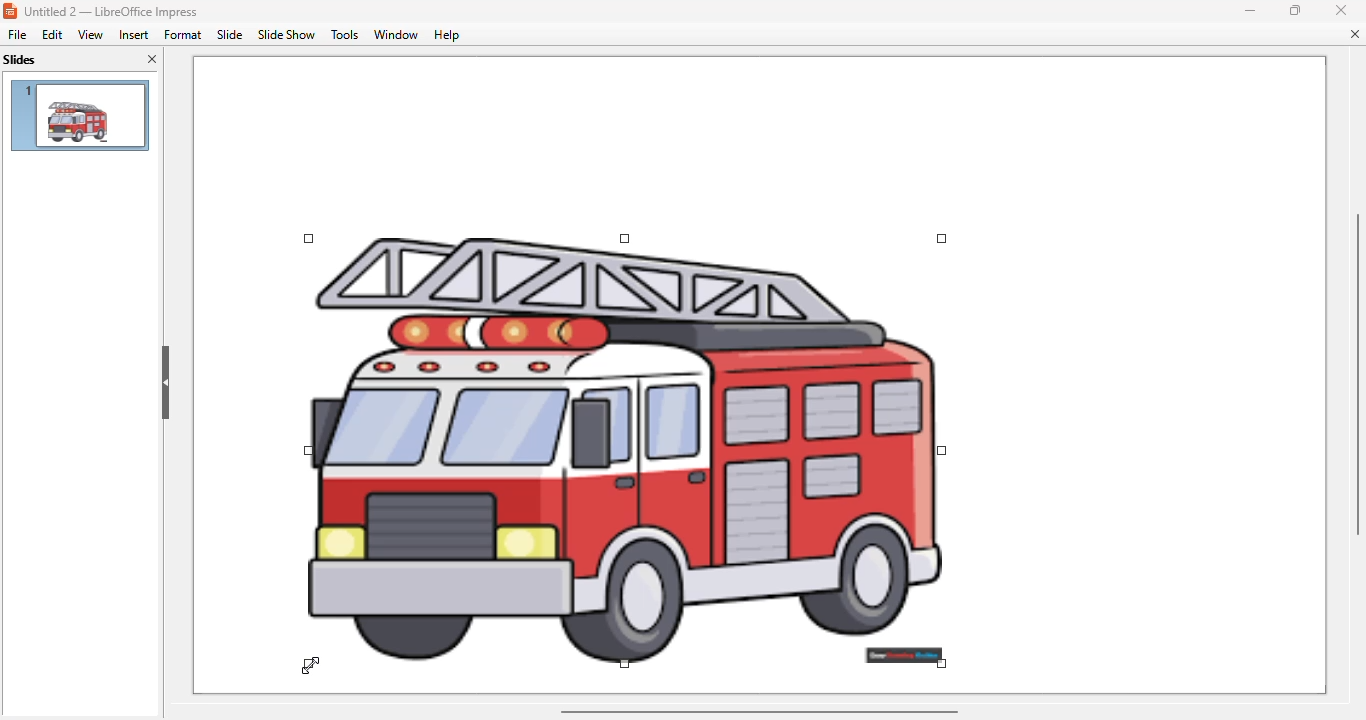  What do you see at coordinates (9, 11) in the screenshot?
I see `logo` at bounding box center [9, 11].